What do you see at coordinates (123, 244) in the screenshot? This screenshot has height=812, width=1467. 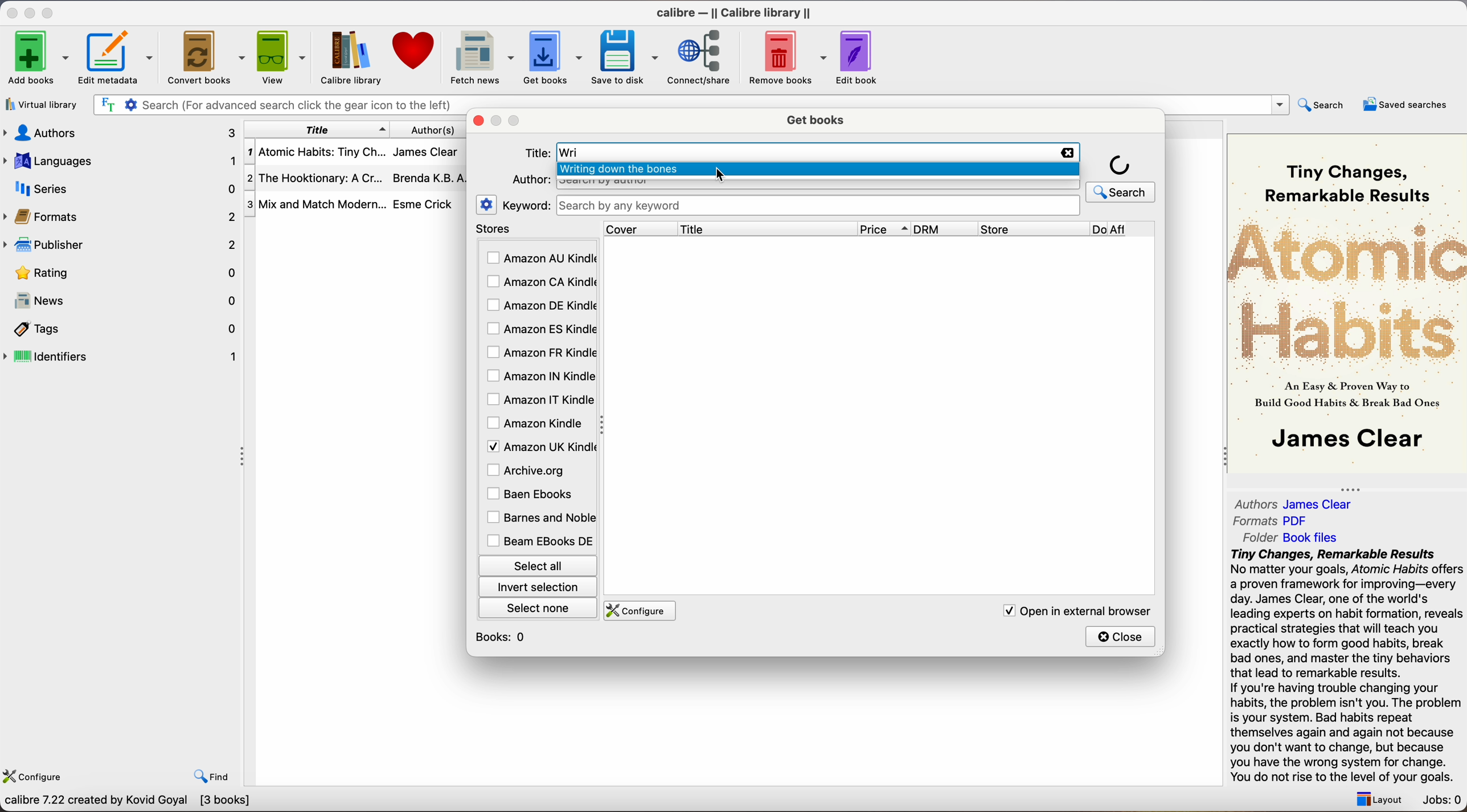 I see `publisher` at bounding box center [123, 244].